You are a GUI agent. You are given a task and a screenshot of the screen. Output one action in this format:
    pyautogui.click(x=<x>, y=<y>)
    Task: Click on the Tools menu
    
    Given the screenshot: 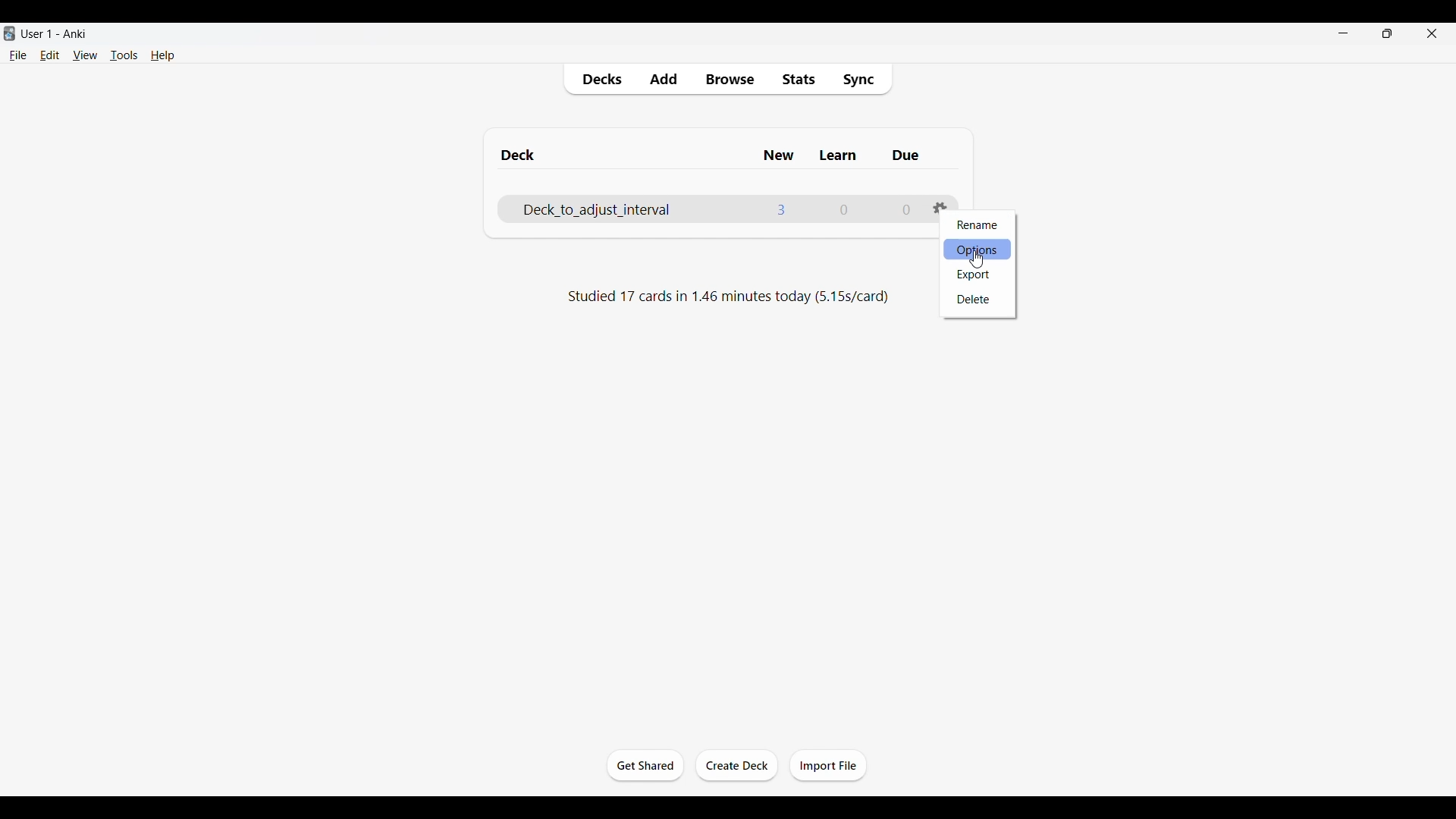 What is the action you would take?
    pyautogui.click(x=124, y=55)
    